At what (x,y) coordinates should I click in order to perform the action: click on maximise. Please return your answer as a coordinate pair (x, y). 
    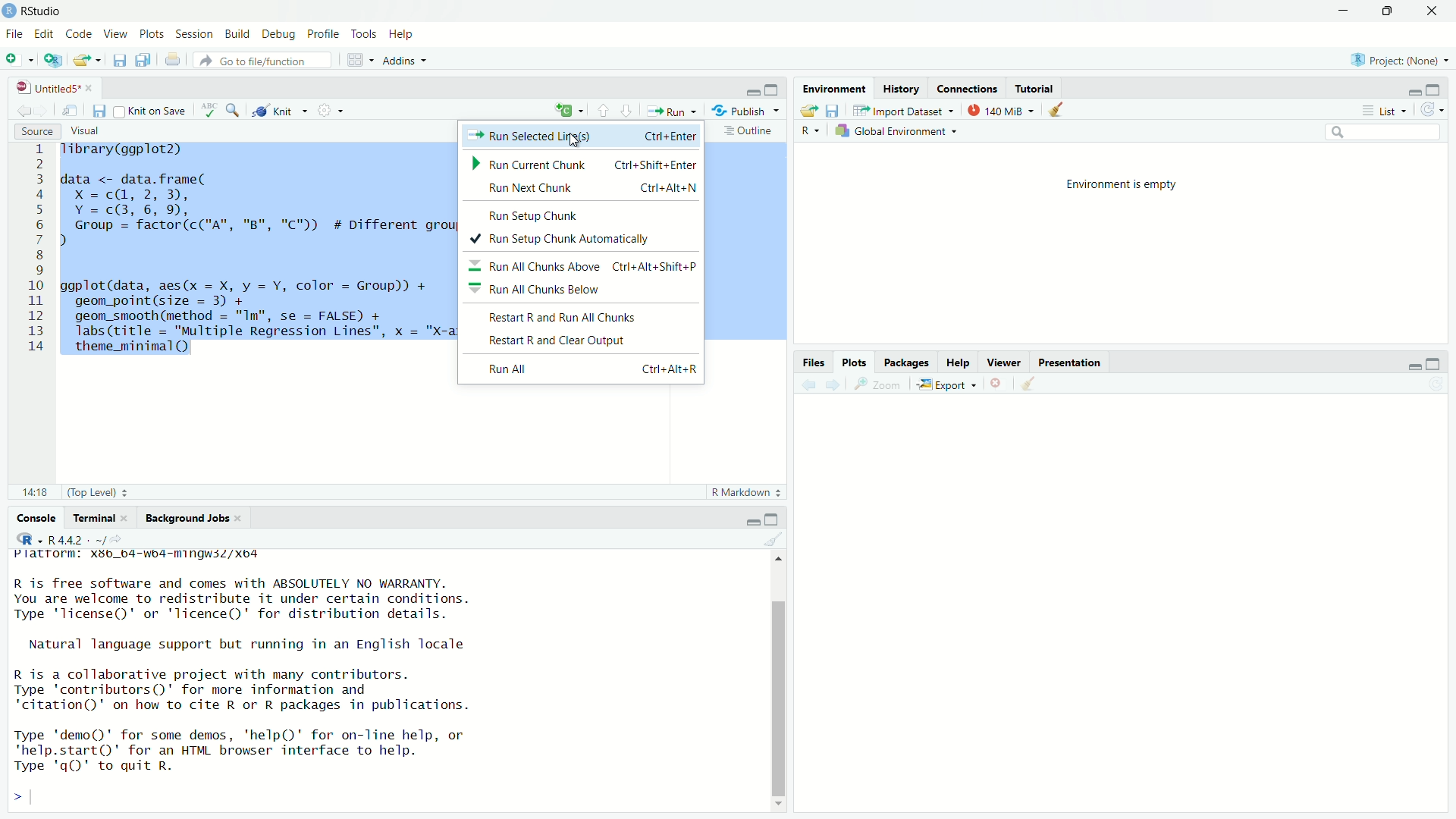
    Looking at the image, I should click on (1392, 12).